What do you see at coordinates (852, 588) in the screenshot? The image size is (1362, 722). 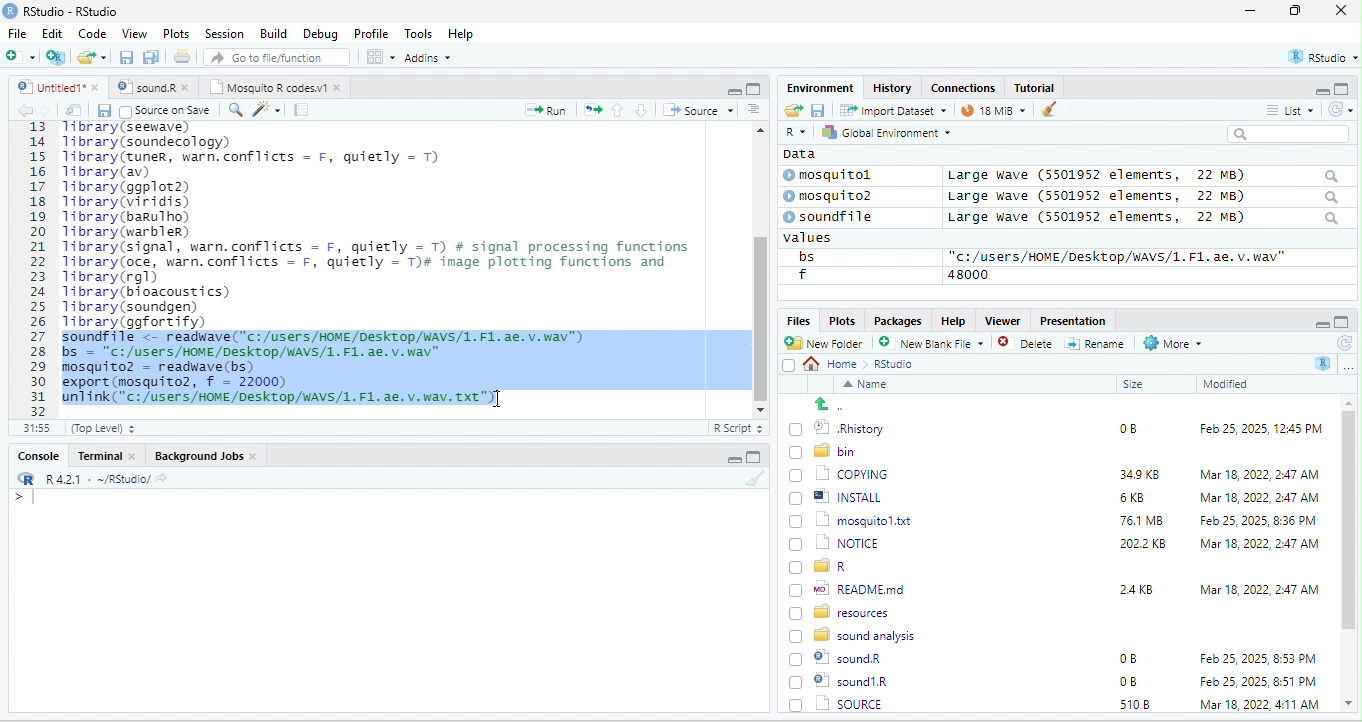 I see `wo| READMEmd` at bounding box center [852, 588].